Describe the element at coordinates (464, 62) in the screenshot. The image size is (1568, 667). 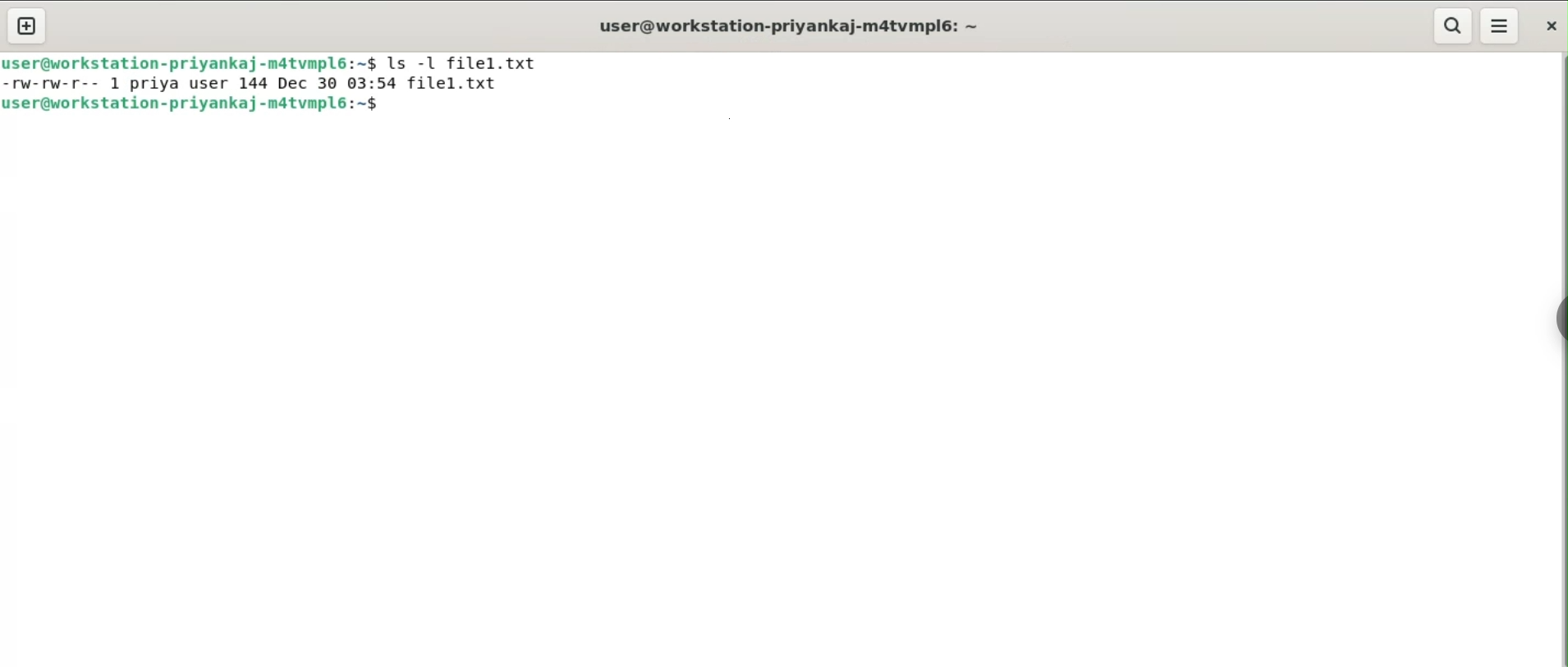
I see `ls -l file1.txt` at that location.